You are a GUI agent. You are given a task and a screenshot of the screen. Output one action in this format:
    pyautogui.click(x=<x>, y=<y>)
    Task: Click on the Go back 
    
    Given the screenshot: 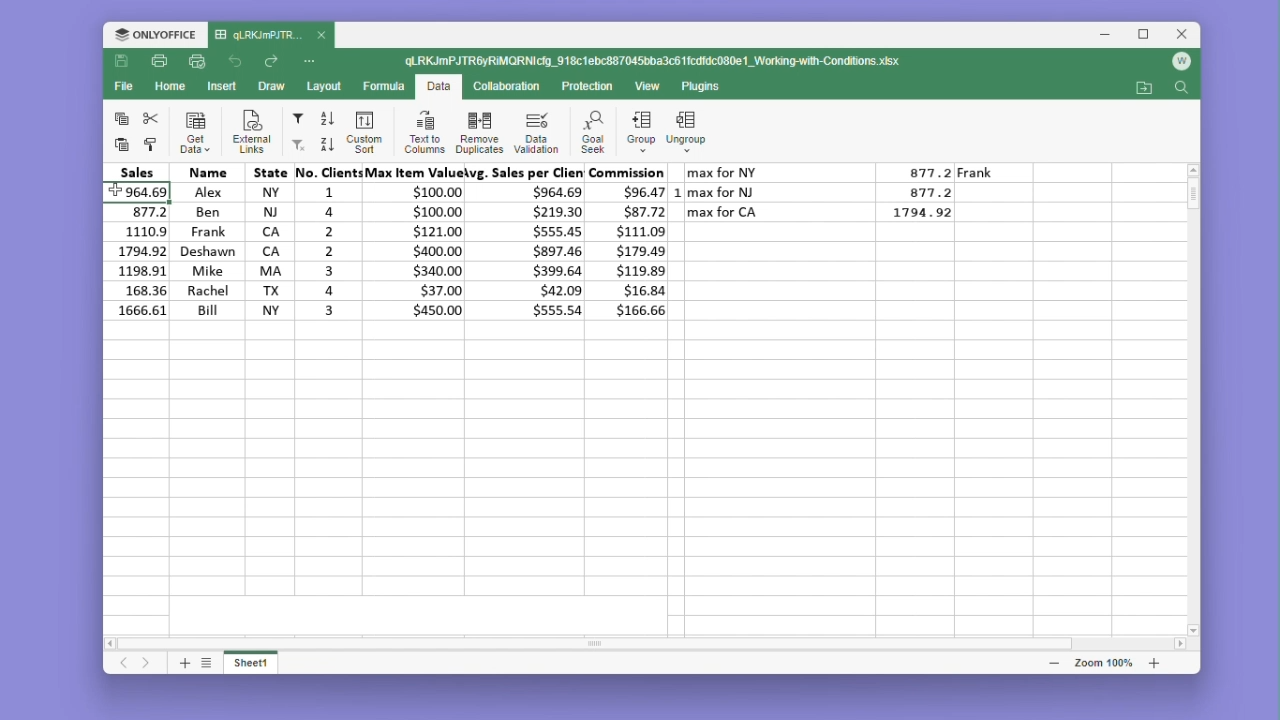 What is the action you would take?
    pyautogui.click(x=238, y=62)
    